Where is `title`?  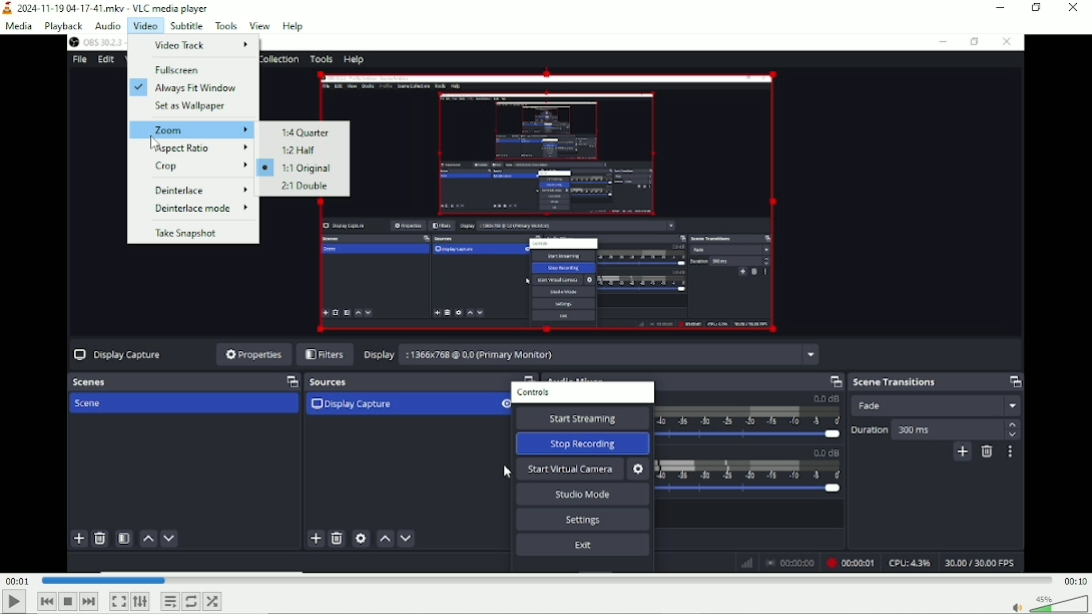 title is located at coordinates (107, 9).